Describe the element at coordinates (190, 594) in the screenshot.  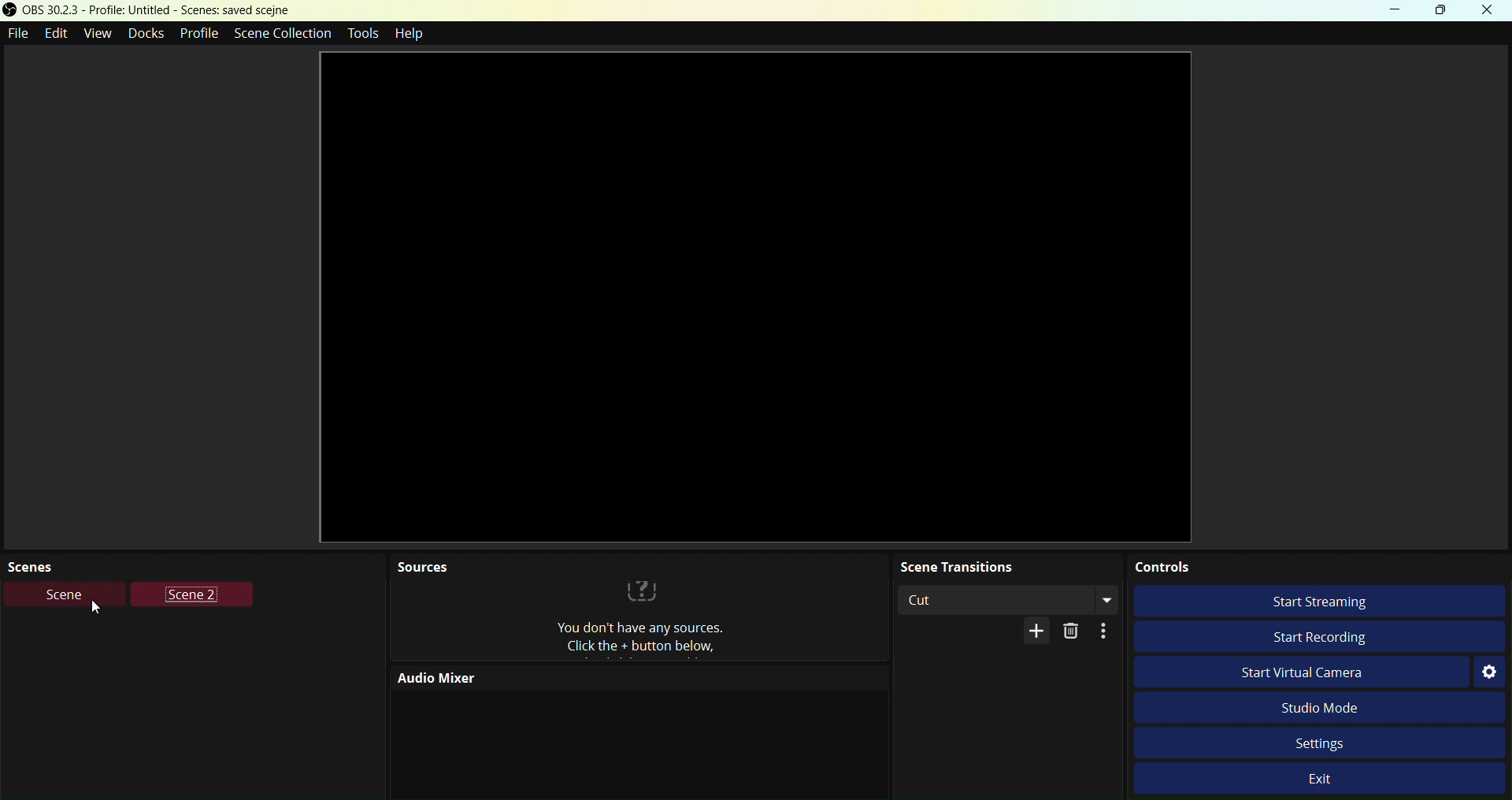
I see `Scene 2` at that location.